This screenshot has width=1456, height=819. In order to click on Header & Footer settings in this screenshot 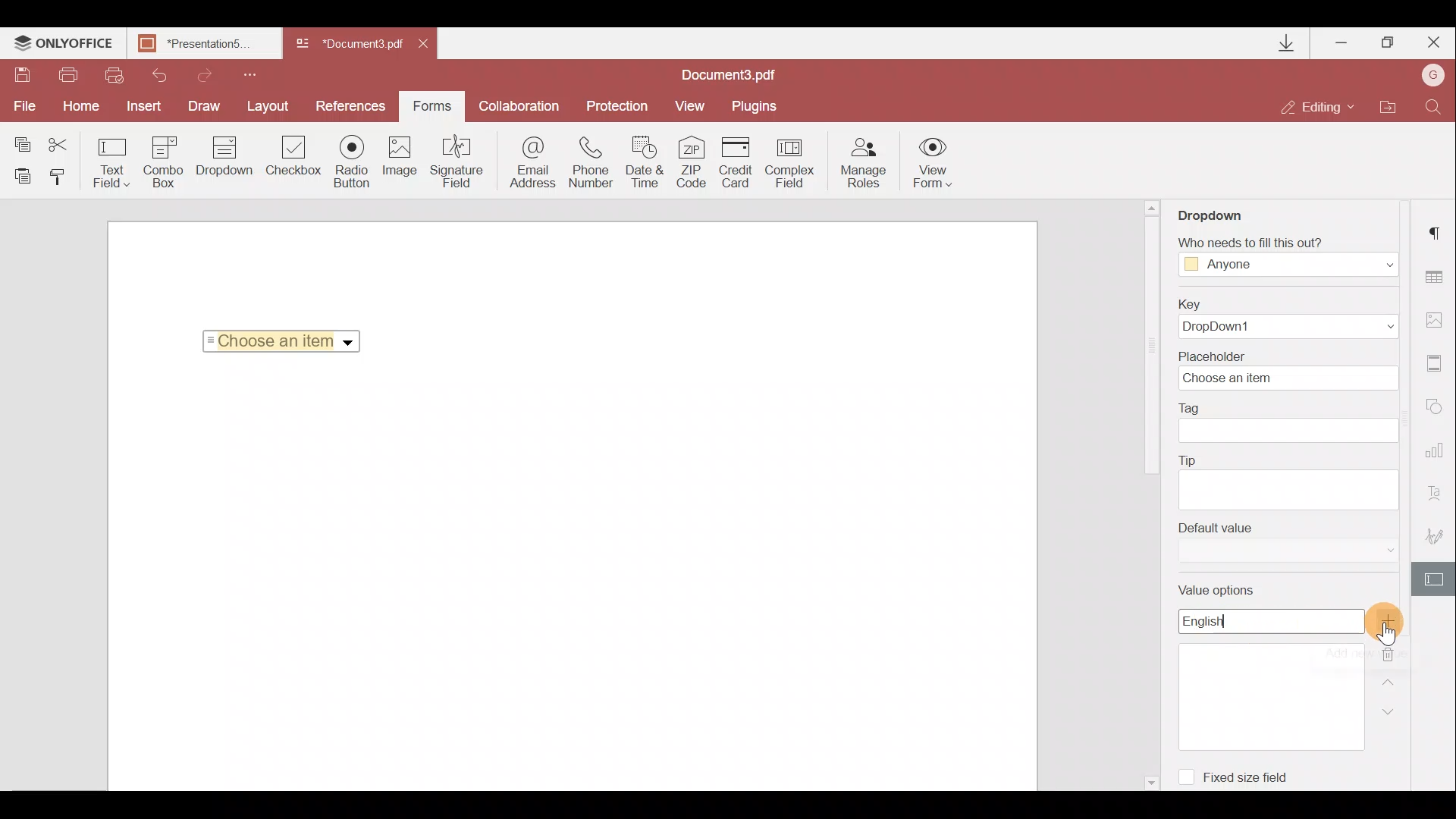, I will do `click(1438, 366)`.